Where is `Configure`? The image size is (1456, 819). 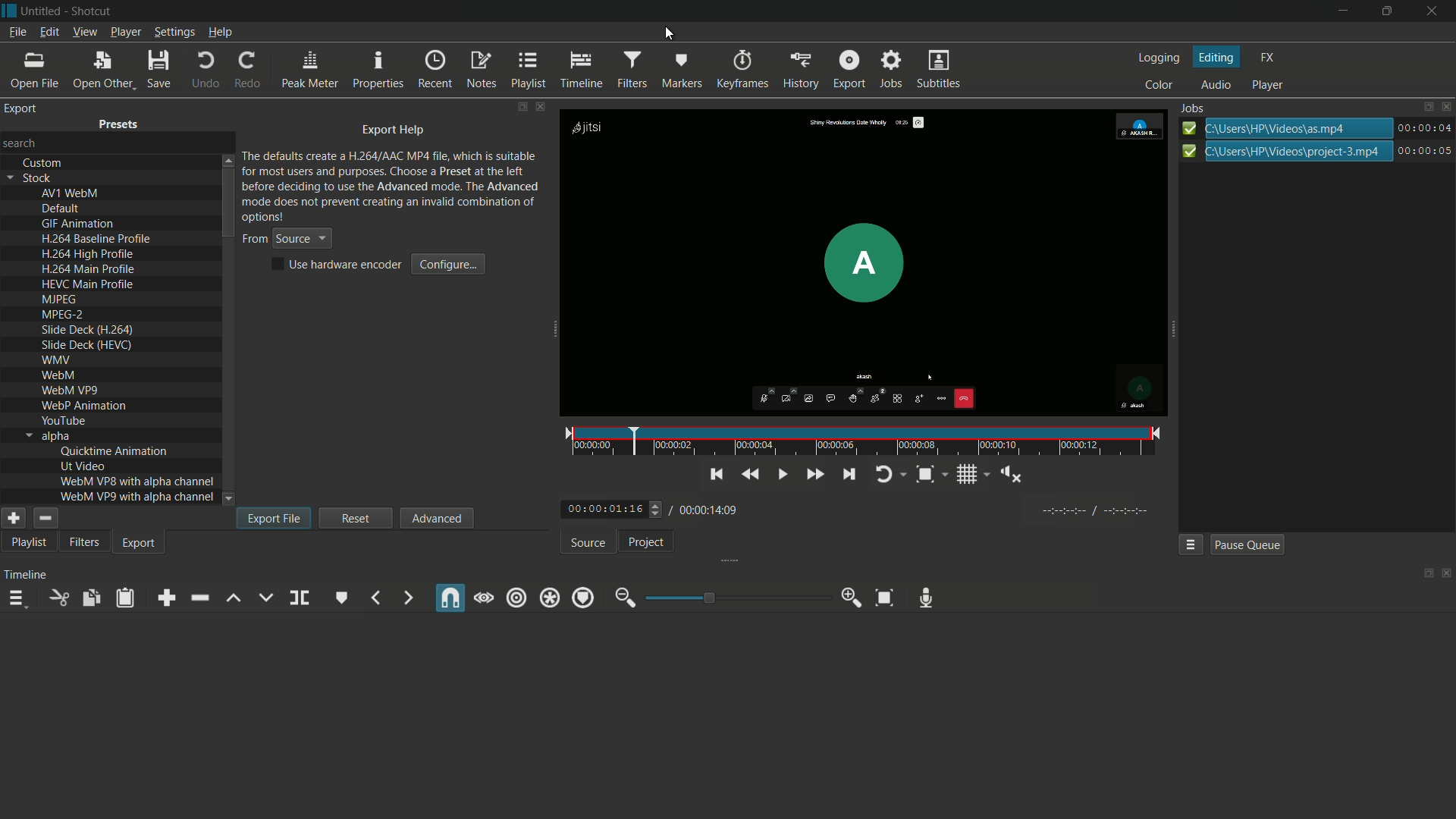
Configure is located at coordinates (448, 265).